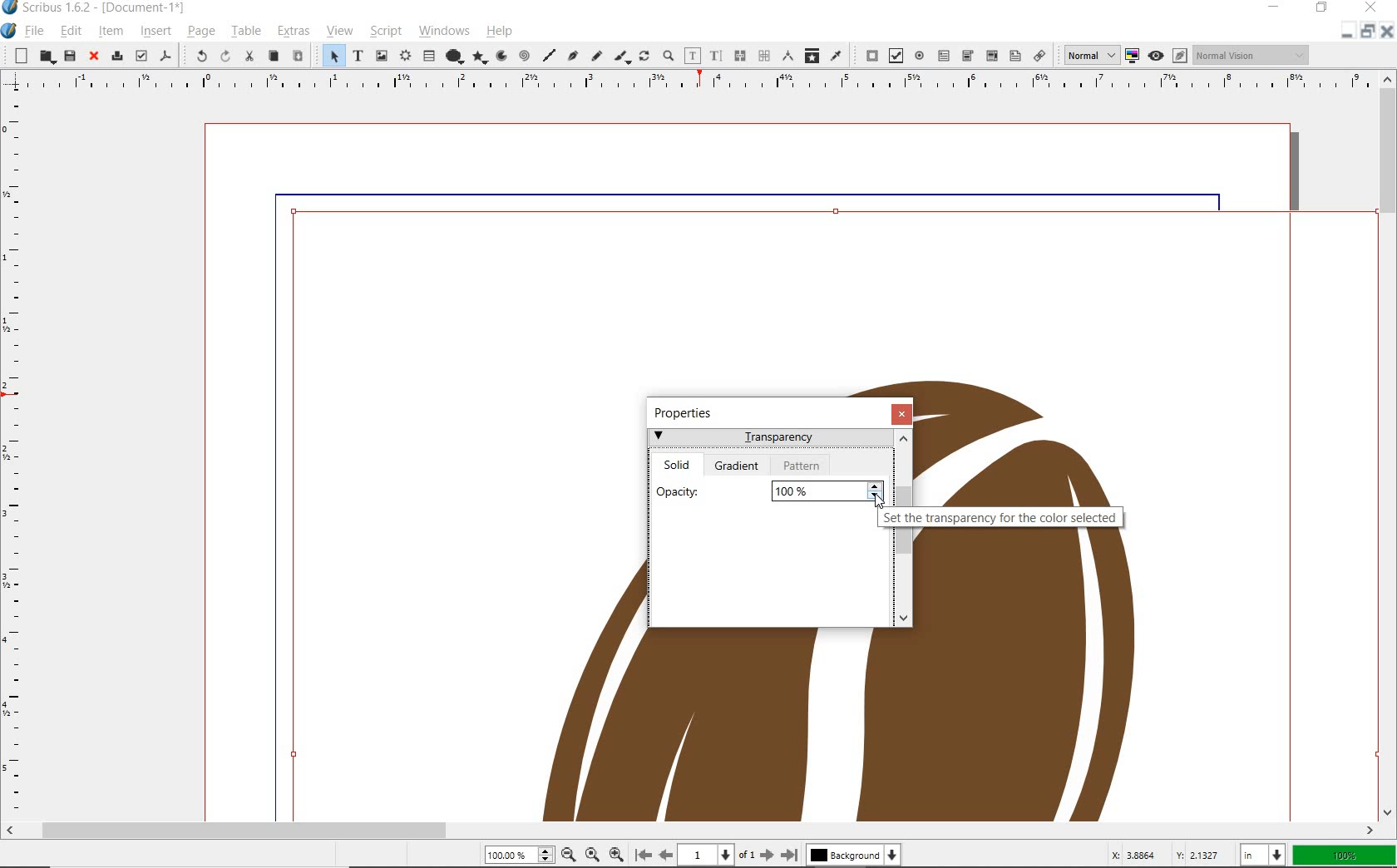 The image size is (1397, 868). What do you see at coordinates (768, 489) in the screenshot?
I see `Opacity: 100%` at bounding box center [768, 489].